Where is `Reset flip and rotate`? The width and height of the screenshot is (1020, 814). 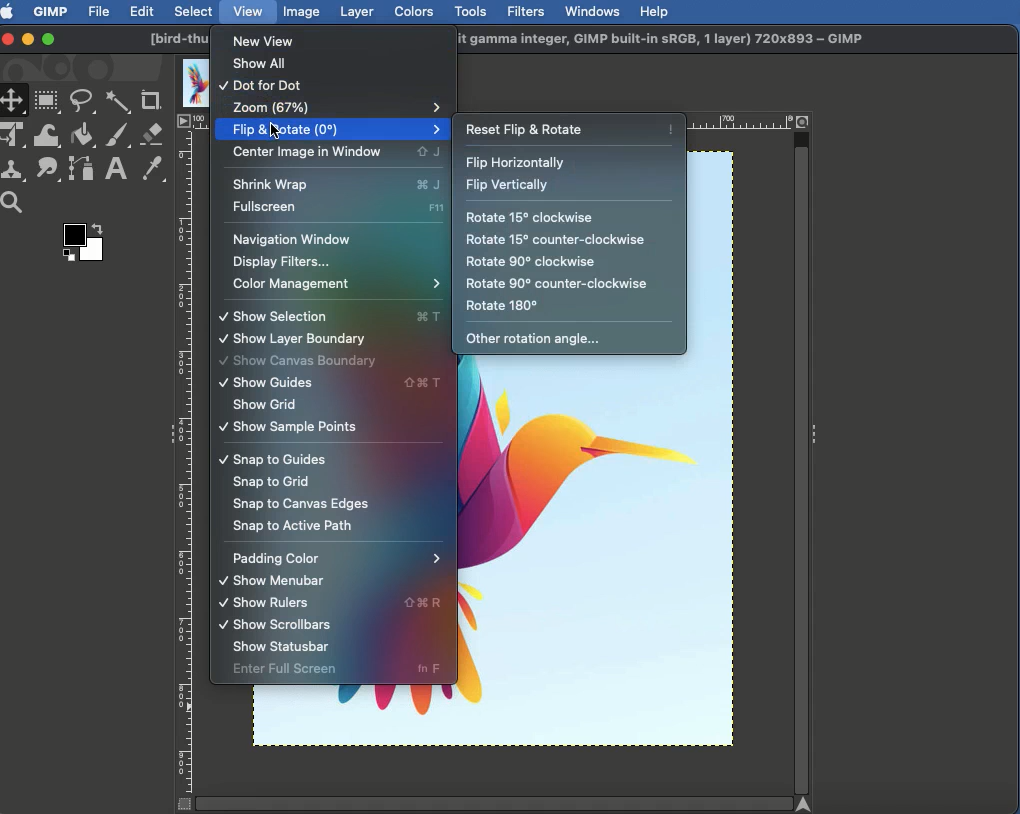
Reset flip and rotate is located at coordinates (570, 126).